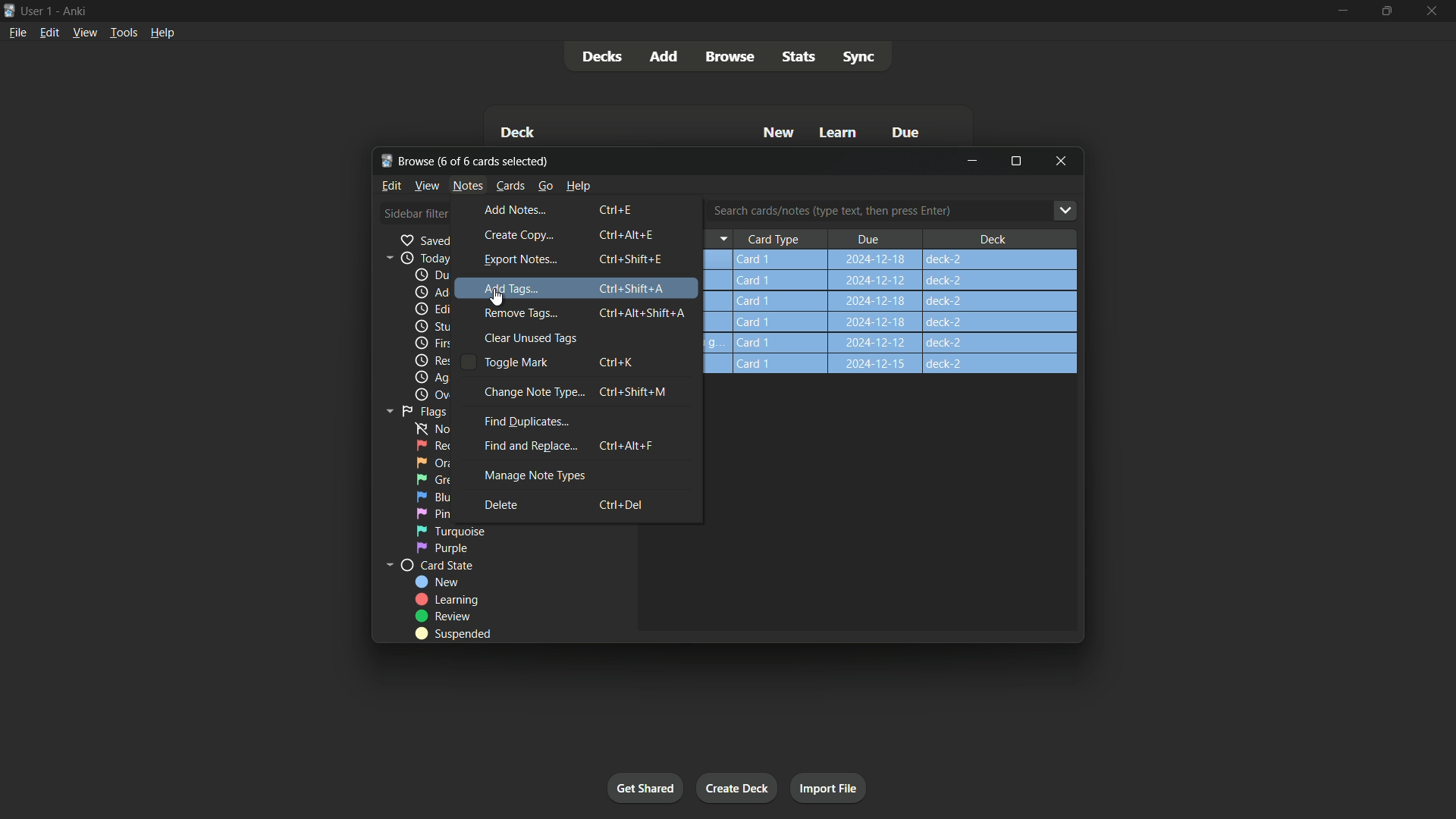 This screenshot has height=819, width=1456. Describe the element at coordinates (121, 33) in the screenshot. I see `Tools menu` at that location.